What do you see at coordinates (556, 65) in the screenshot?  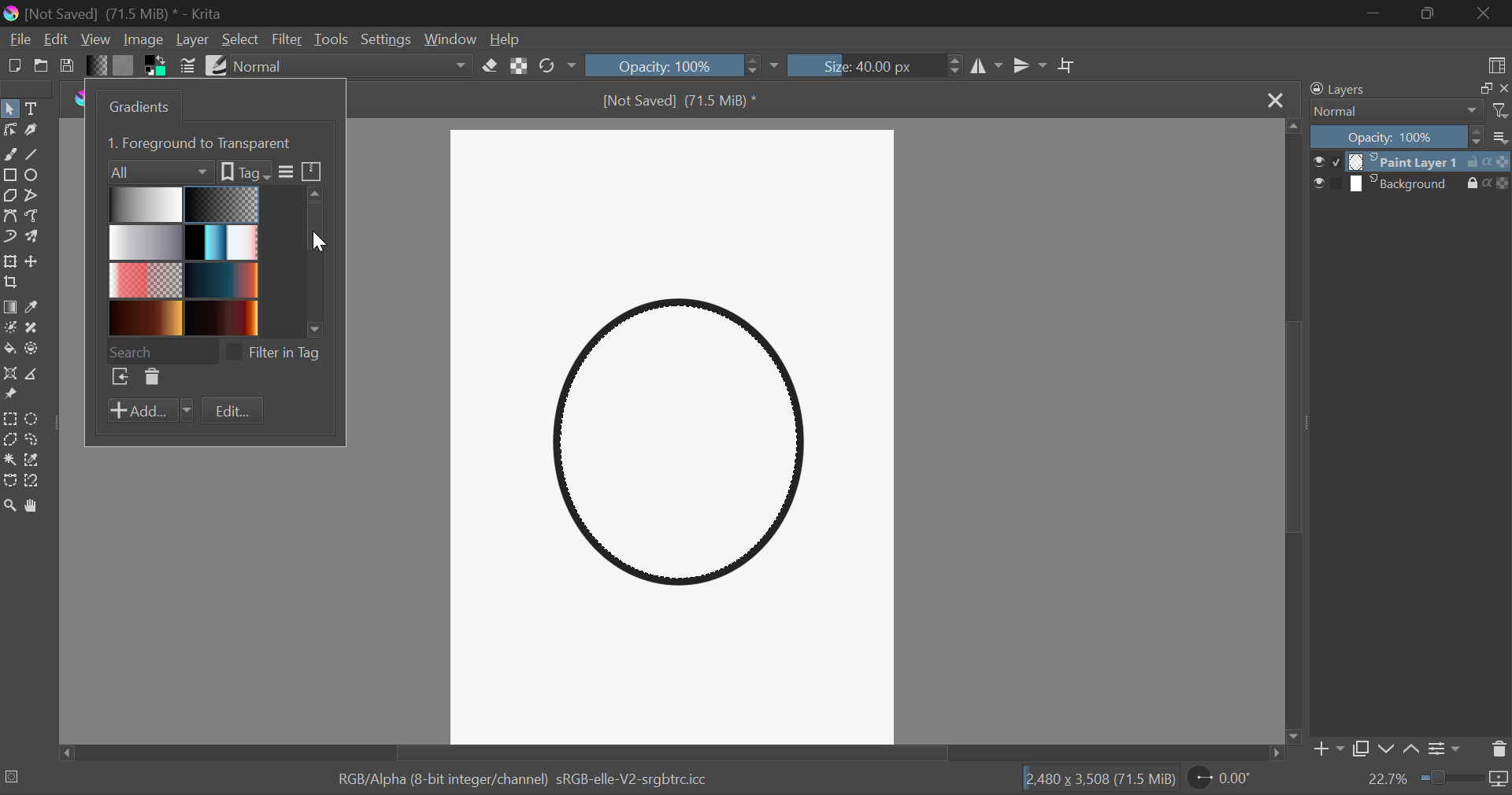 I see `Rotate` at bounding box center [556, 65].